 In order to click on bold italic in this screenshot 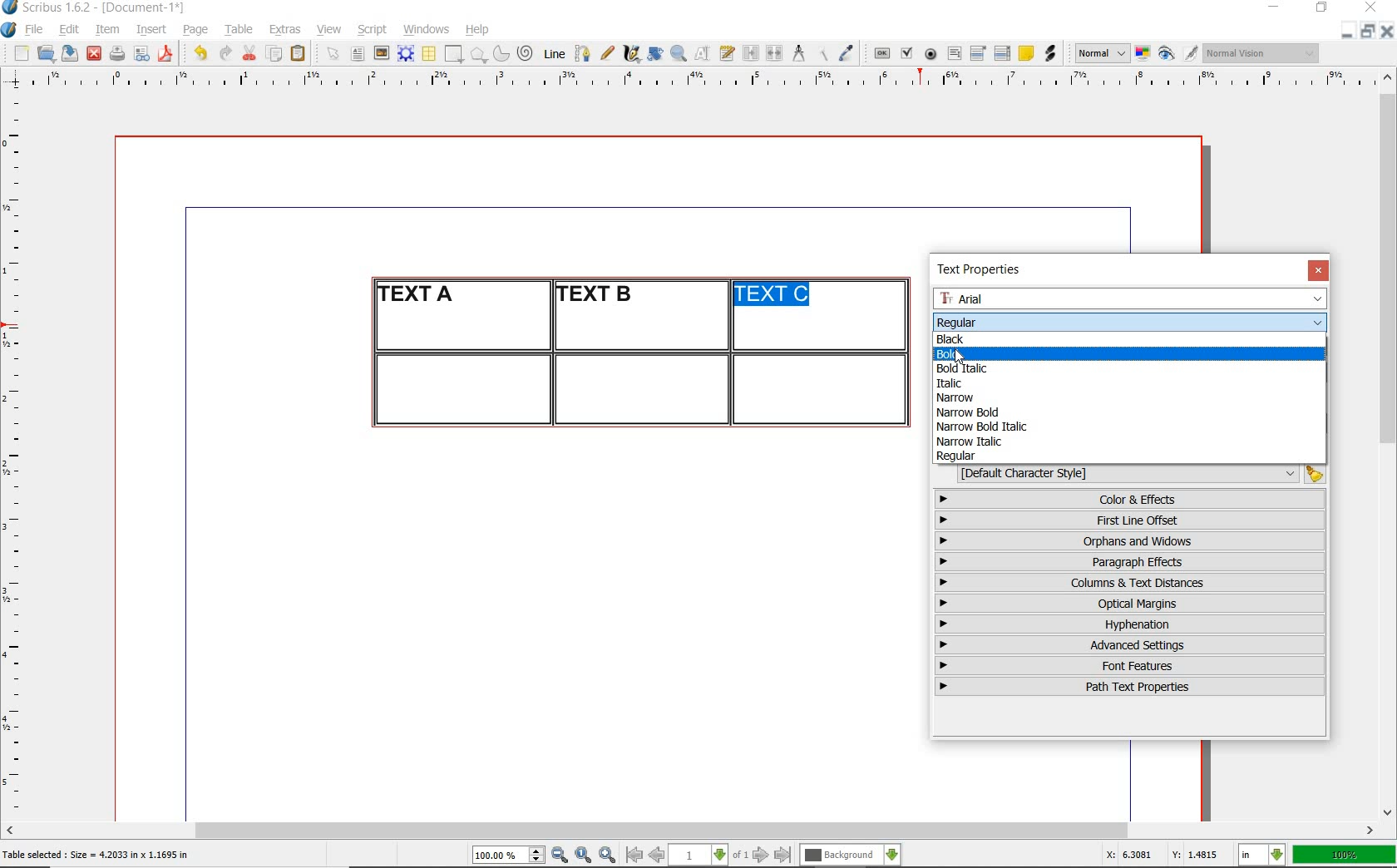, I will do `click(970, 368)`.